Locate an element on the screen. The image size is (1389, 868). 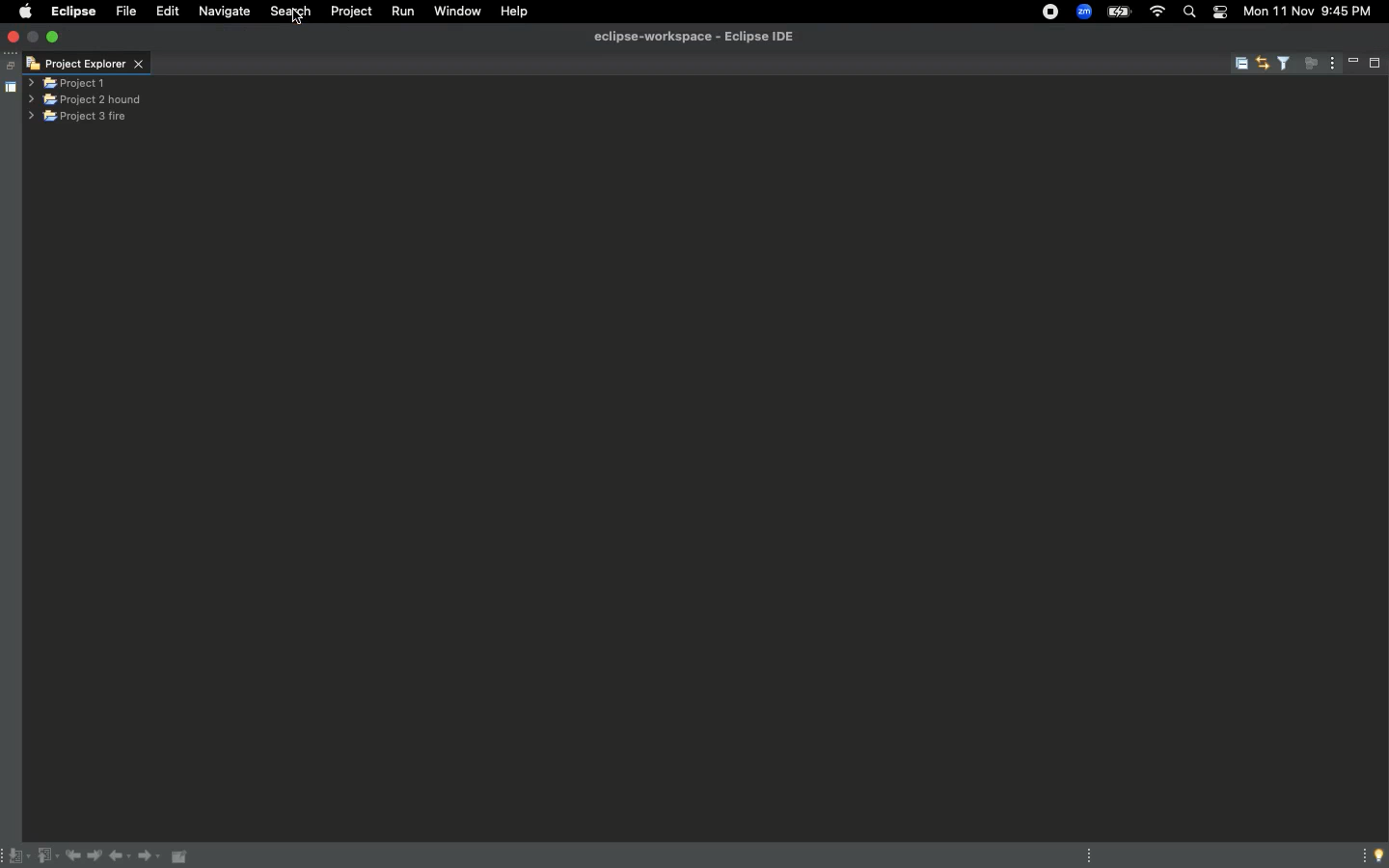
Forward is located at coordinates (150, 858).